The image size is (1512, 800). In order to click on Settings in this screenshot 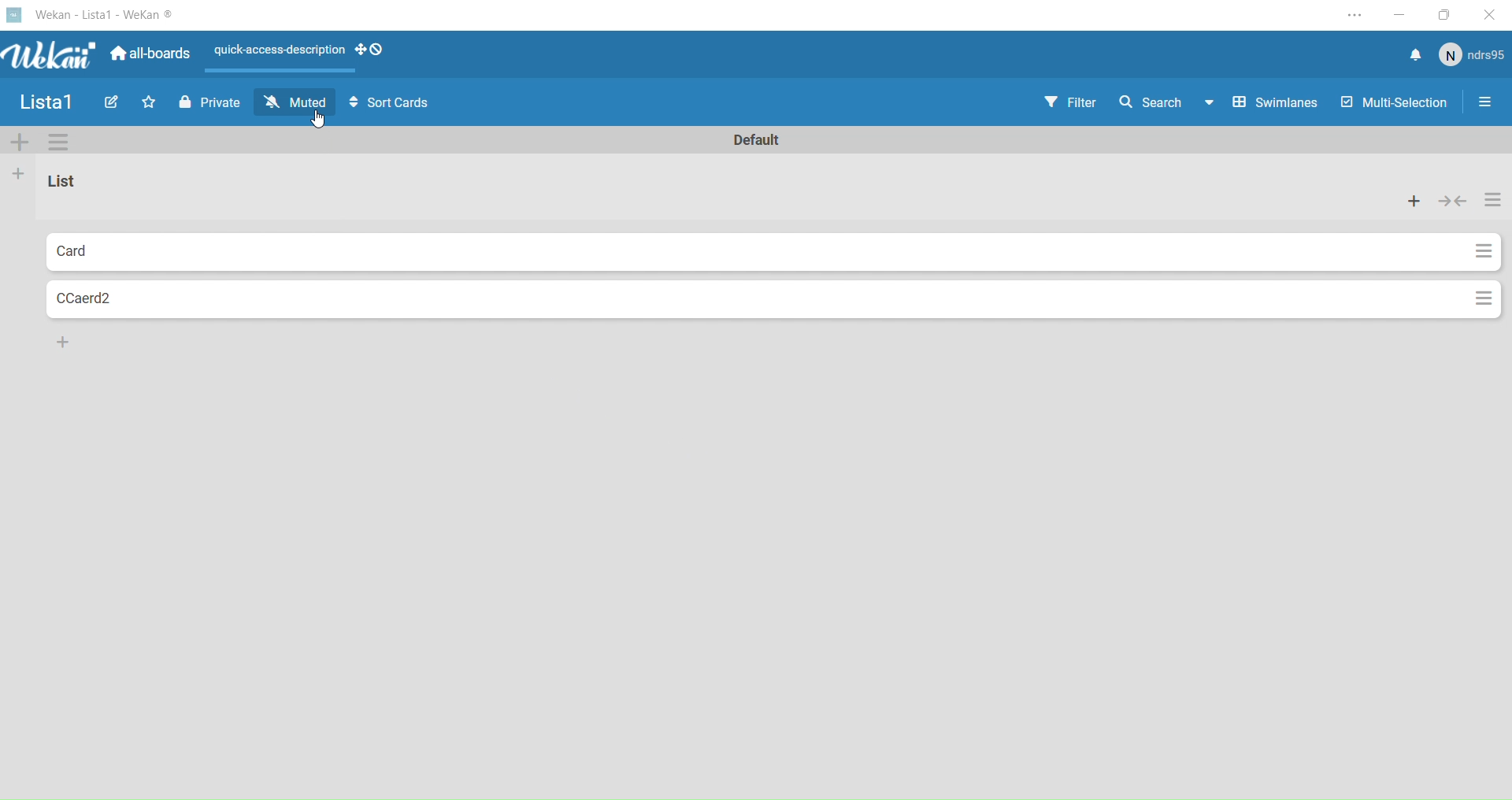, I will do `click(1354, 13)`.